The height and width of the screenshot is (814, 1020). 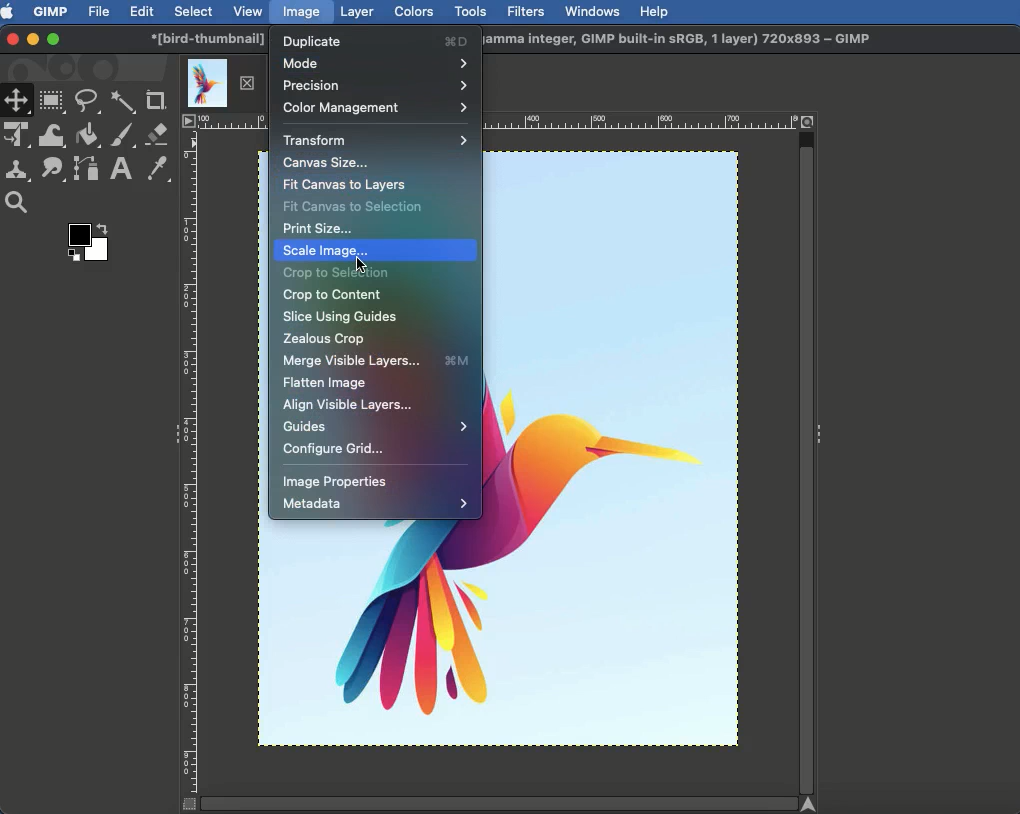 What do you see at coordinates (372, 41) in the screenshot?
I see `Duplicate` at bounding box center [372, 41].